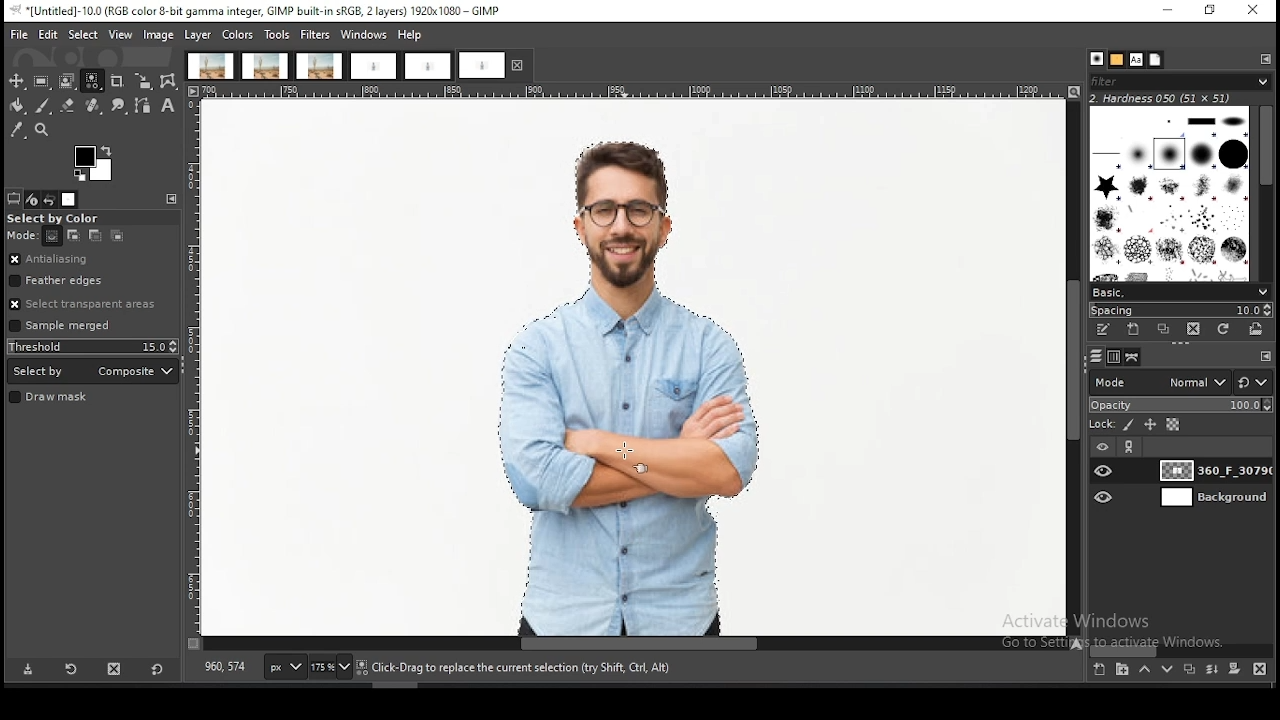  What do you see at coordinates (320, 66) in the screenshot?
I see `project tab` at bounding box center [320, 66].